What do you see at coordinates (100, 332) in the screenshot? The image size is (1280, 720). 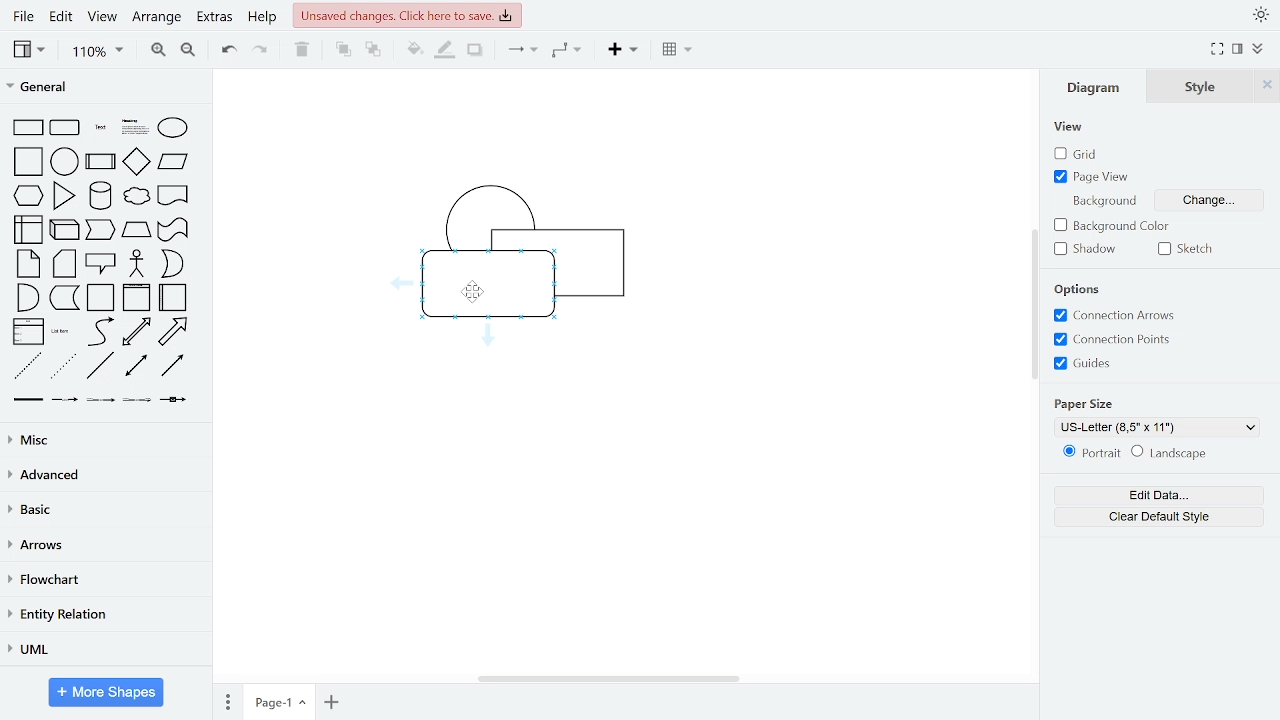 I see `curve` at bounding box center [100, 332].